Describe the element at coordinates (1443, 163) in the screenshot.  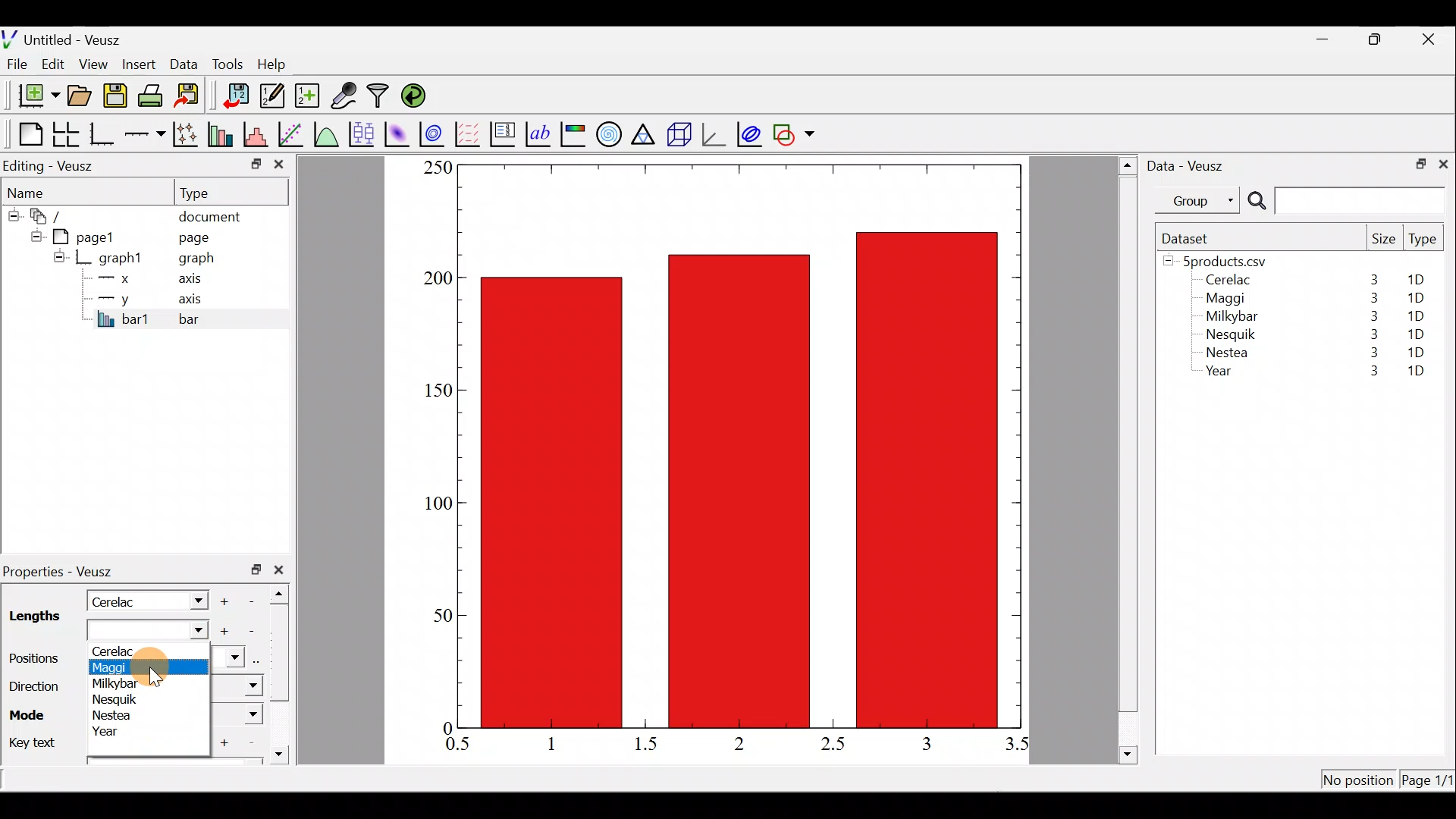
I see `close` at that location.